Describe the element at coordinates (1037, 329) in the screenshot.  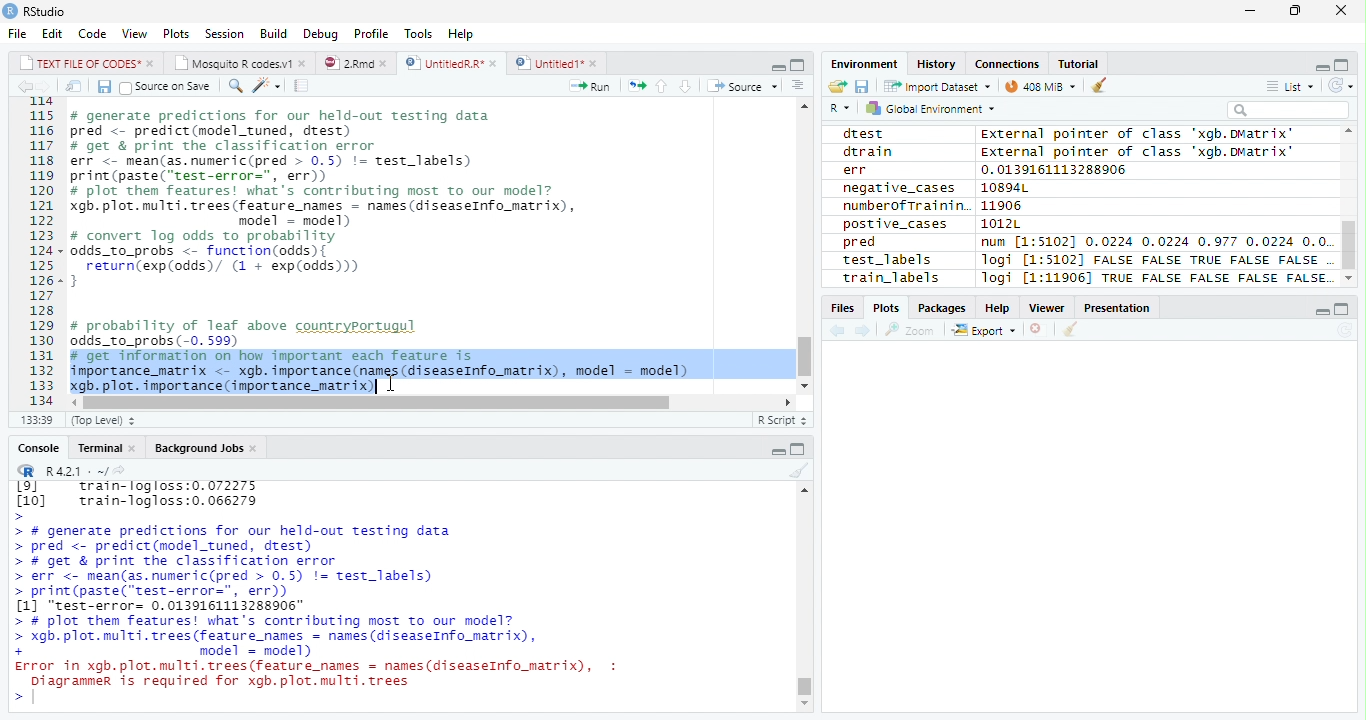
I see `Delete` at that location.